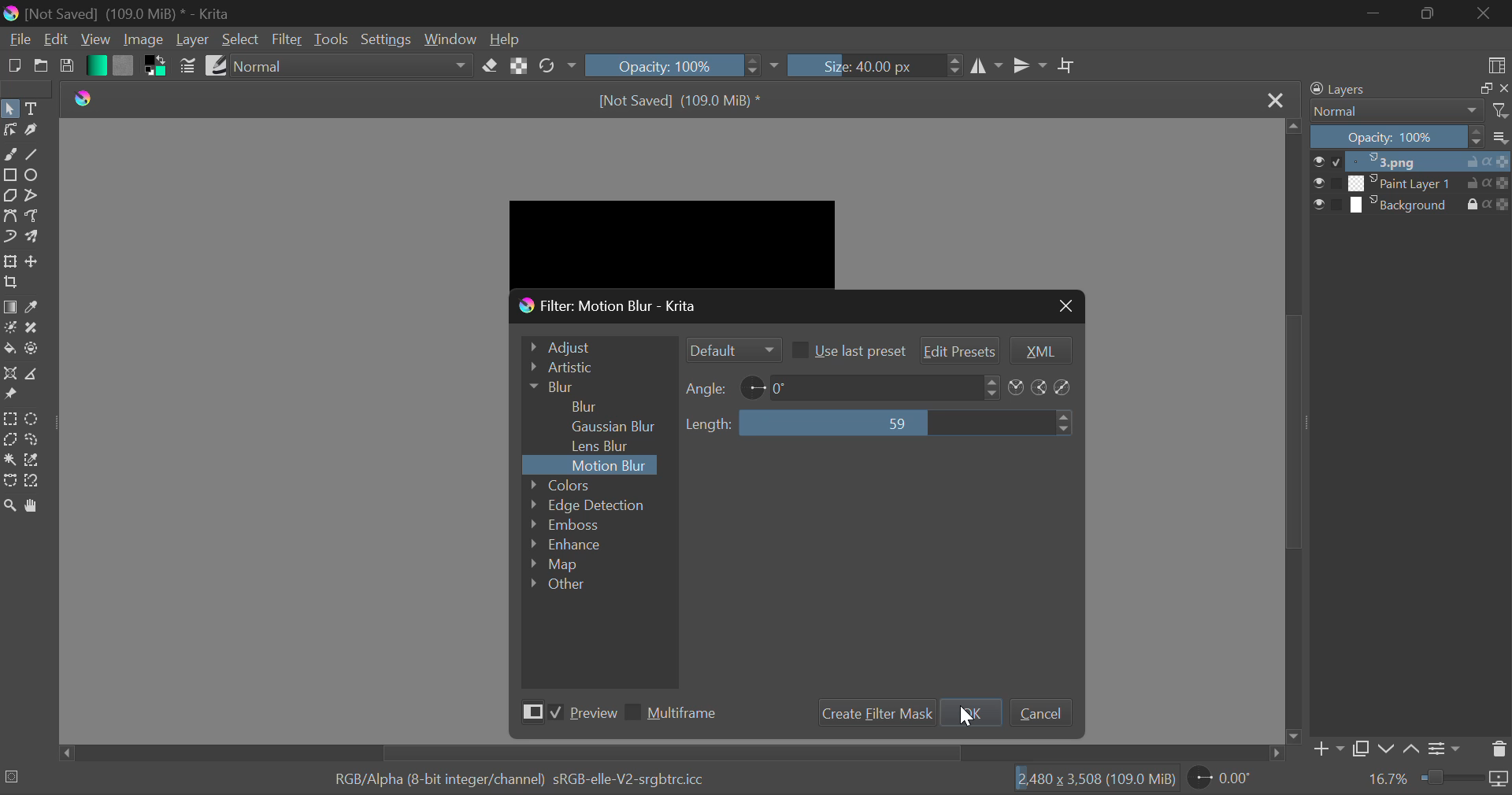 This screenshot has height=795, width=1512. Describe the element at coordinates (620, 425) in the screenshot. I see `Gaussian Blur` at that location.